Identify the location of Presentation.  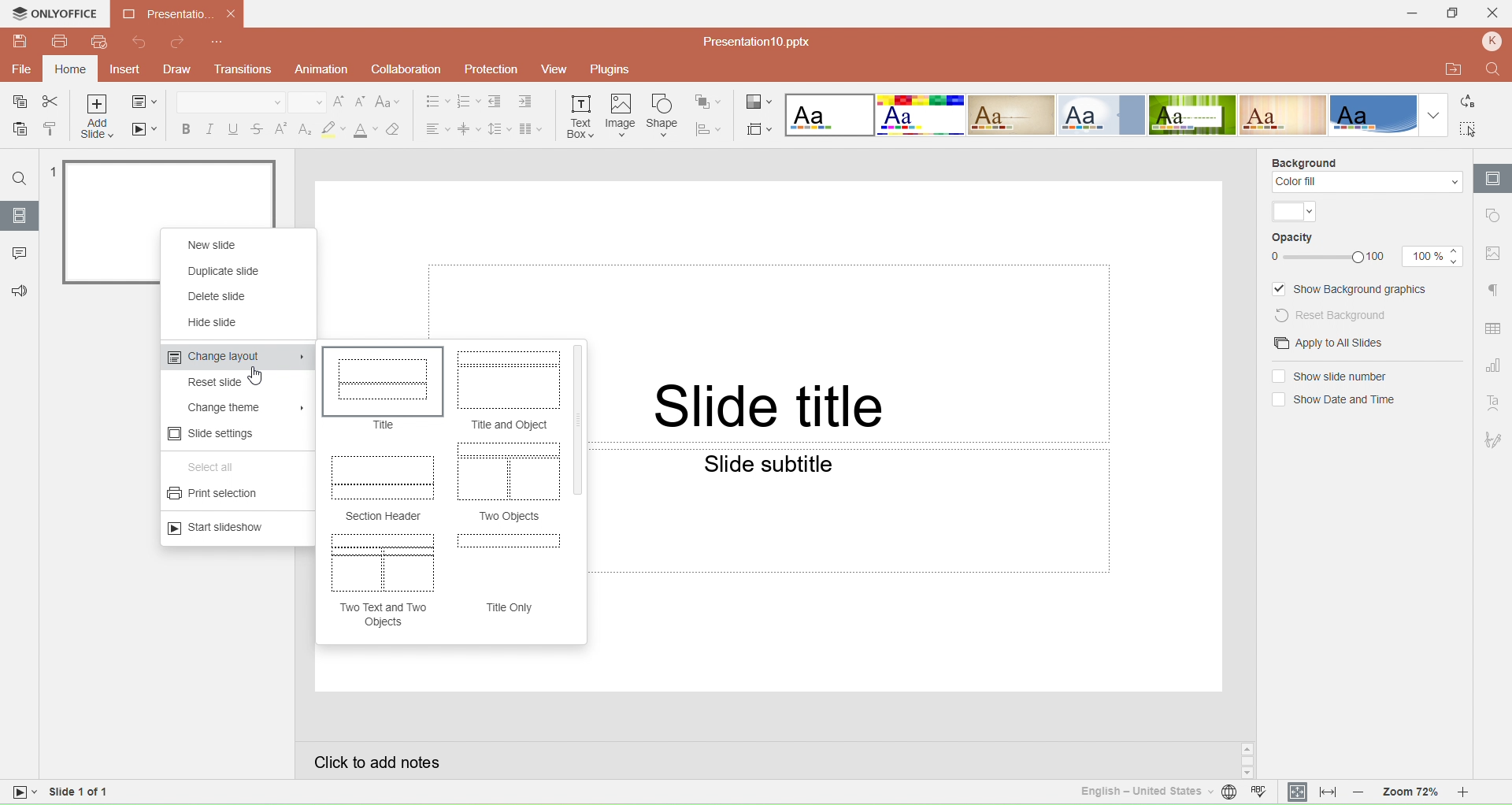
(179, 14).